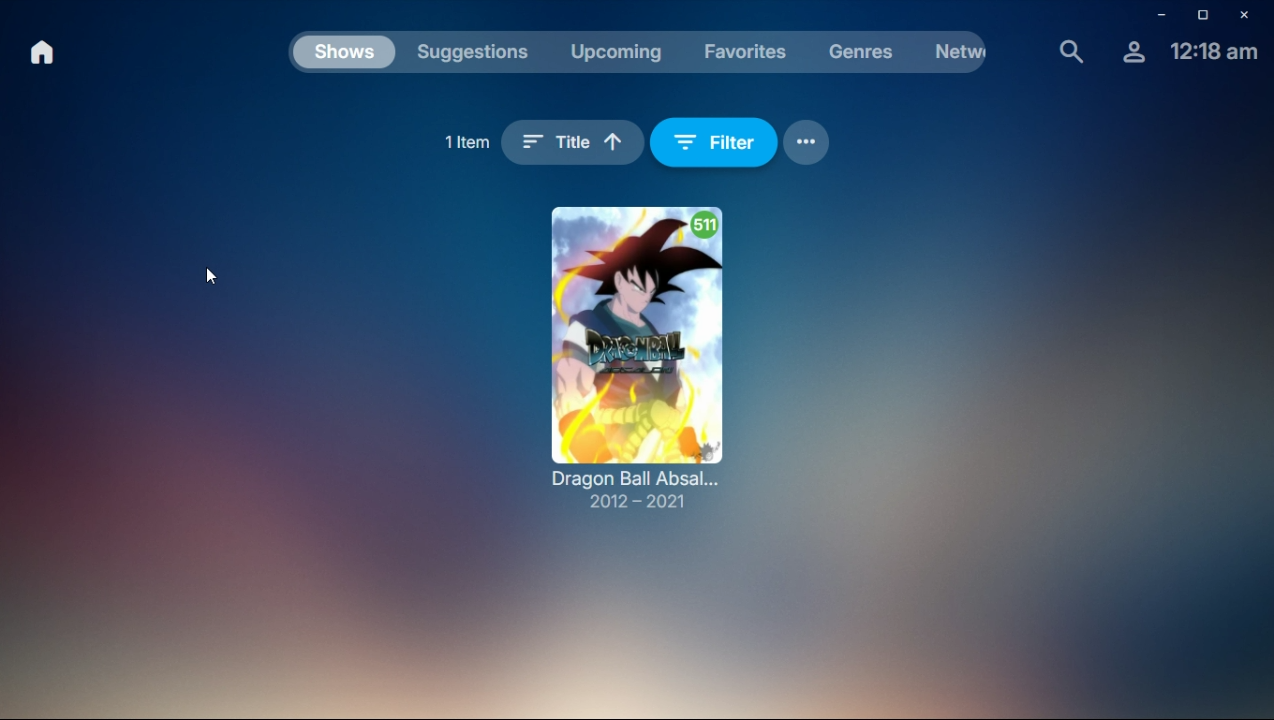 Image resolution: width=1274 pixels, height=720 pixels. What do you see at coordinates (720, 142) in the screenshot?
I see `filter` at bounding box center [720, 142].